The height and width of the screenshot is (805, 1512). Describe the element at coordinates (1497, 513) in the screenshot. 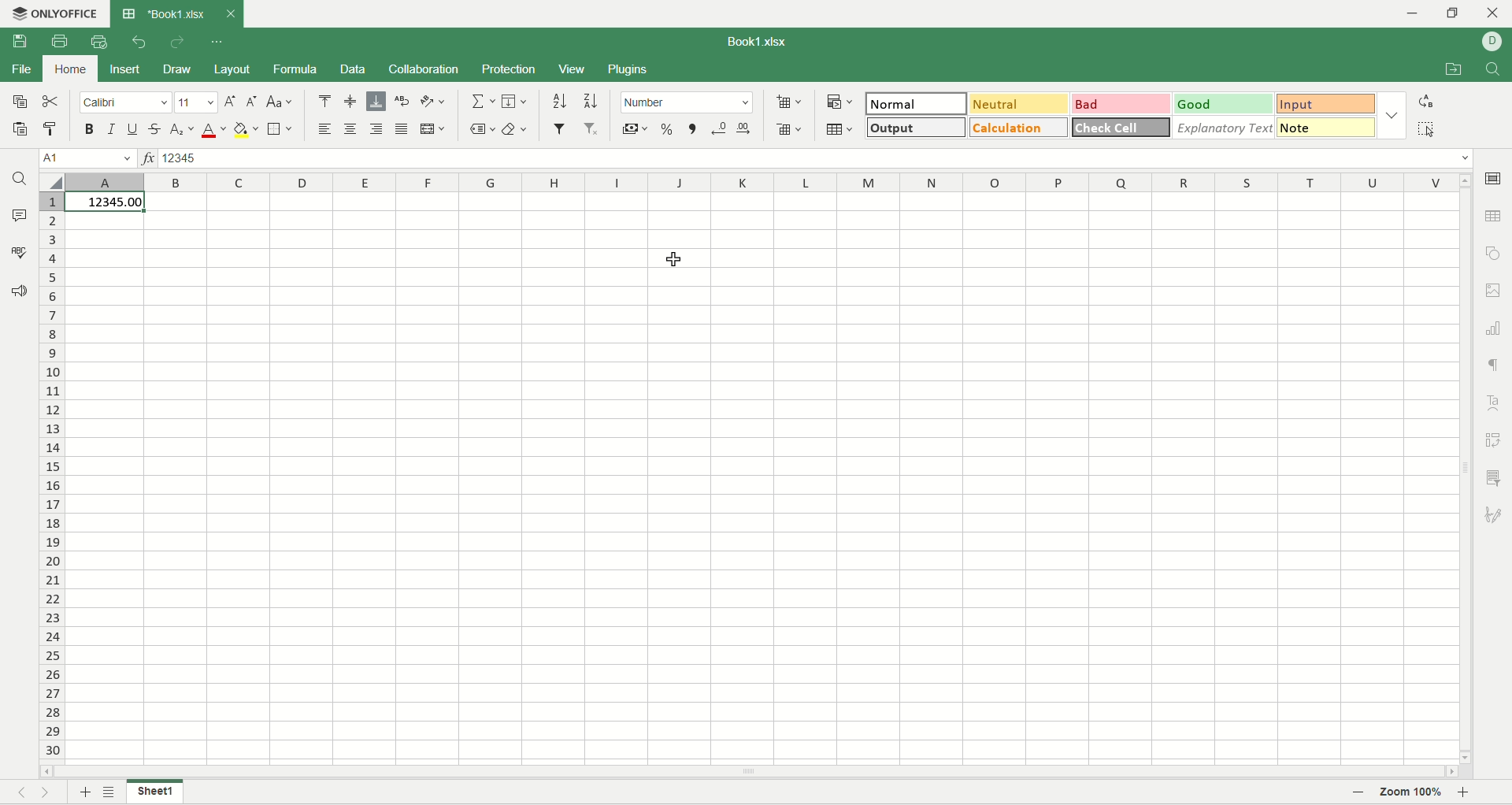

I see `signature settings` at that location.